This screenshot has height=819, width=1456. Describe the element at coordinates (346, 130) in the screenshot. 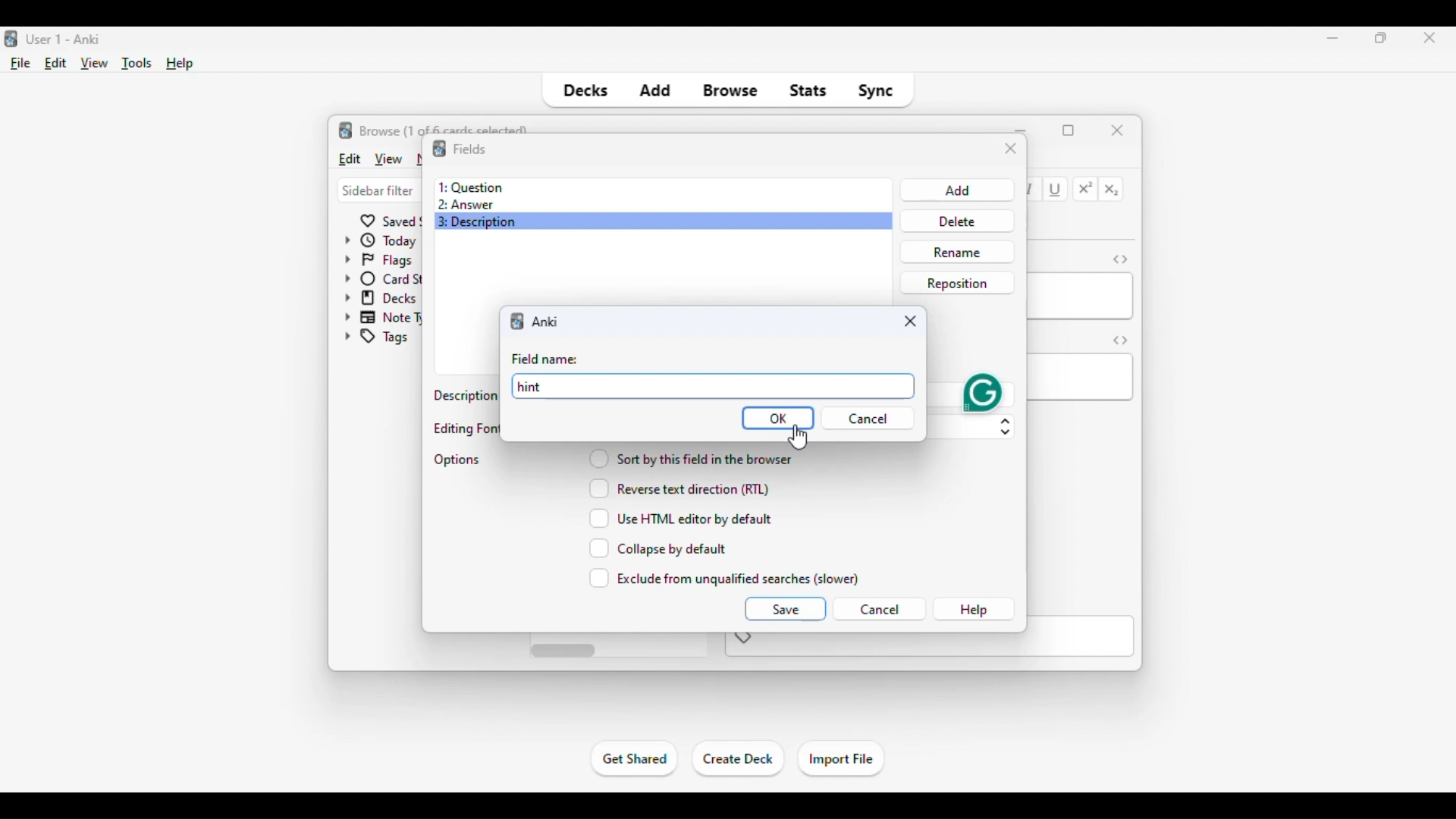

I see `logo` at that location.